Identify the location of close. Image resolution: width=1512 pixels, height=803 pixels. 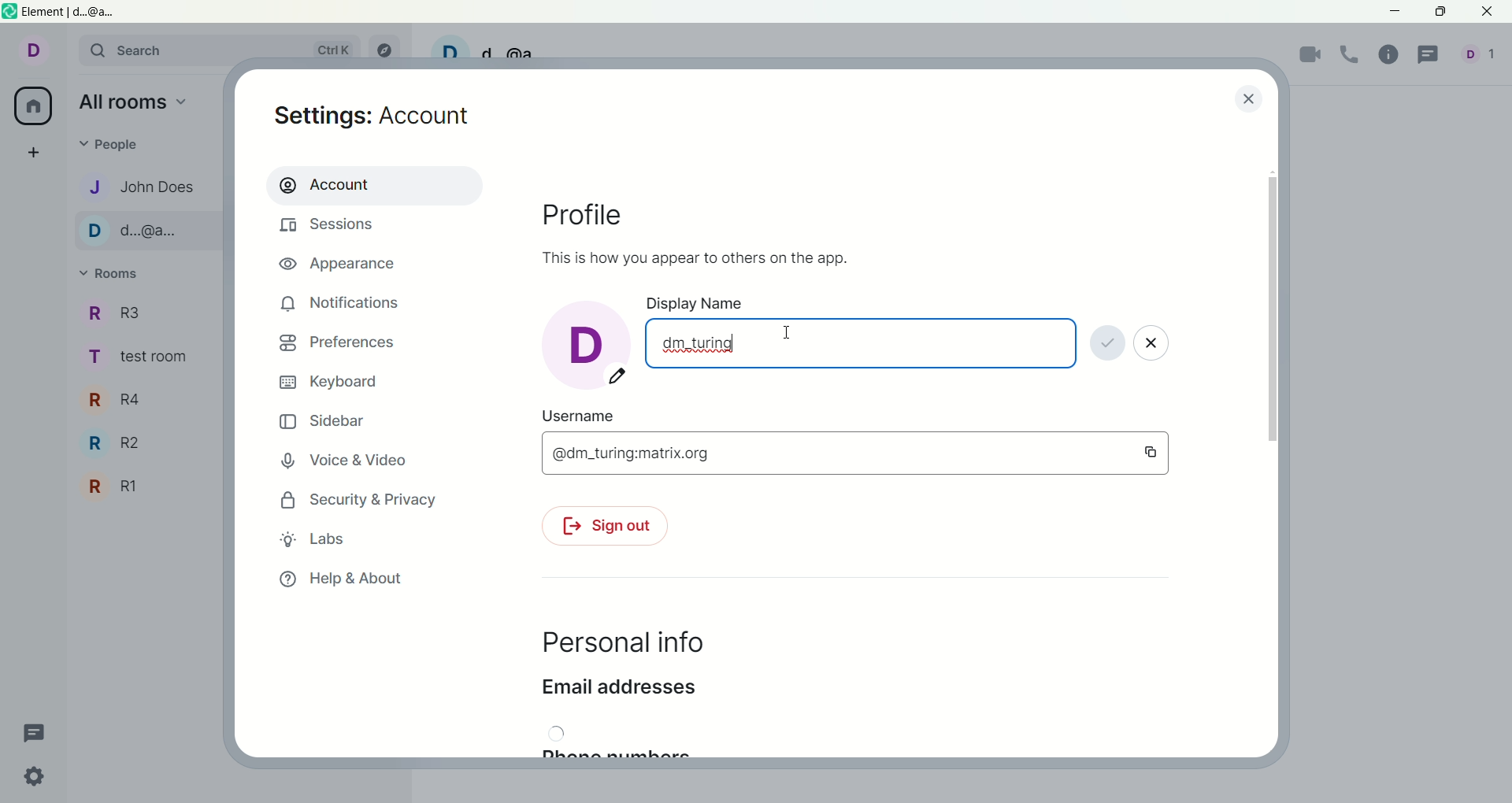
(1489, 13).